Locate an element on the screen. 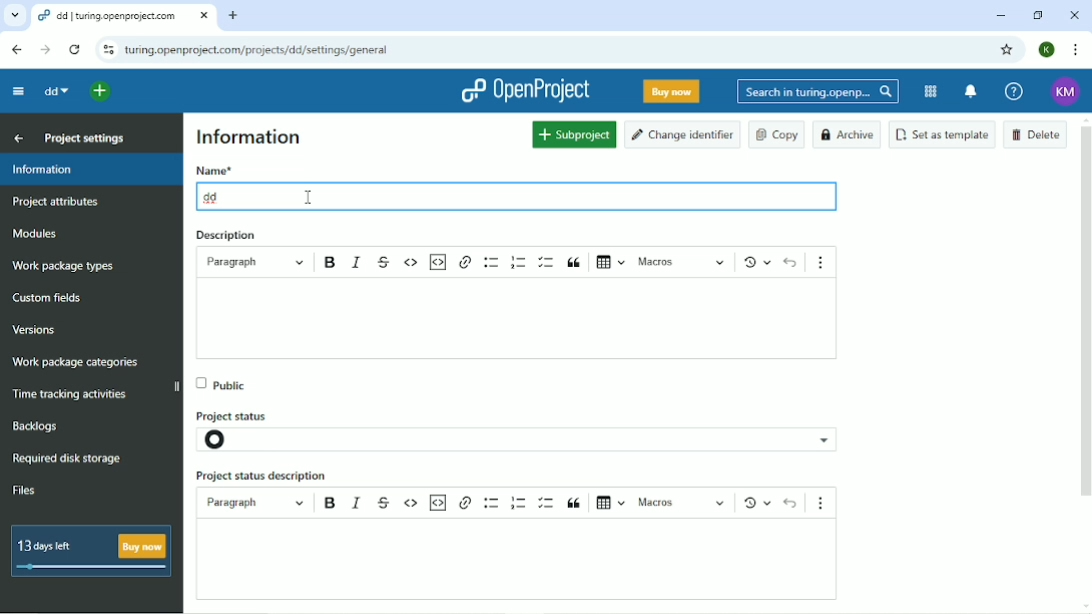 Image resolution: width=1092 pixels, height=614 pixels. Buy now is located at coordinates (672, 92).